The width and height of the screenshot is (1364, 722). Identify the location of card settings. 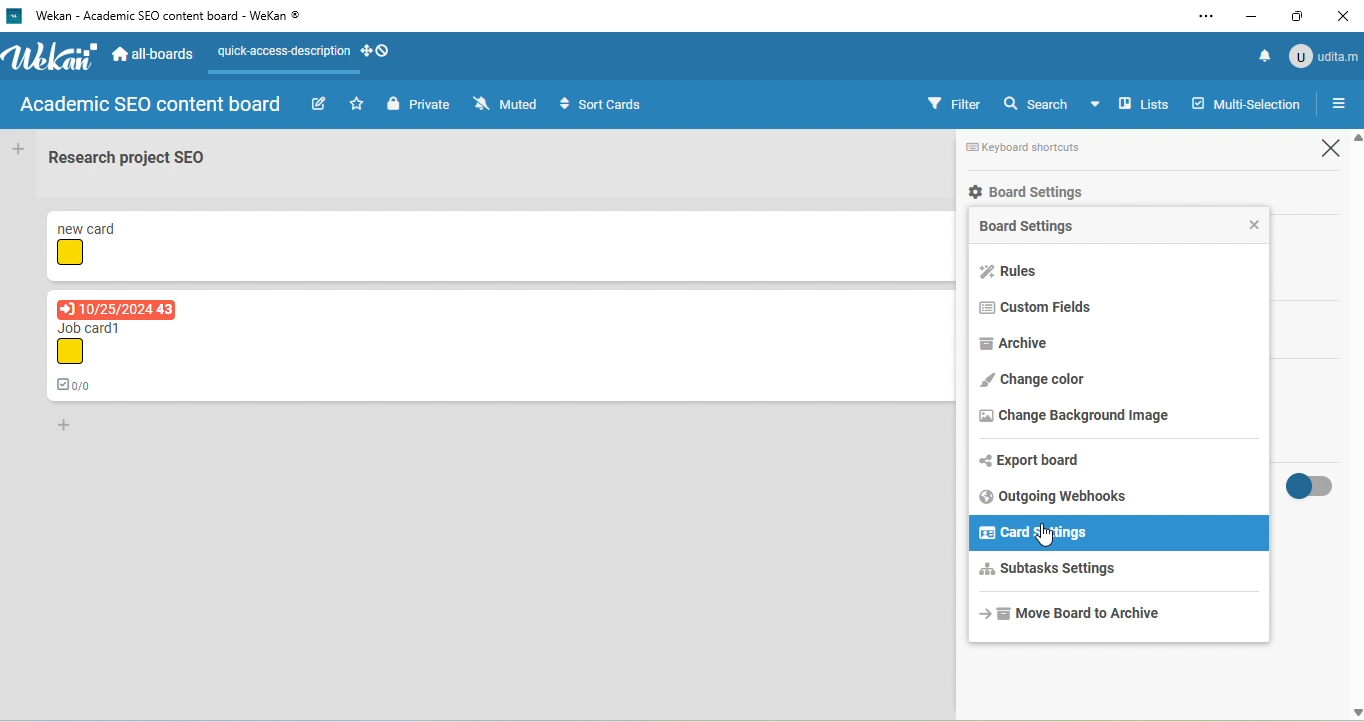
(1117, 534).